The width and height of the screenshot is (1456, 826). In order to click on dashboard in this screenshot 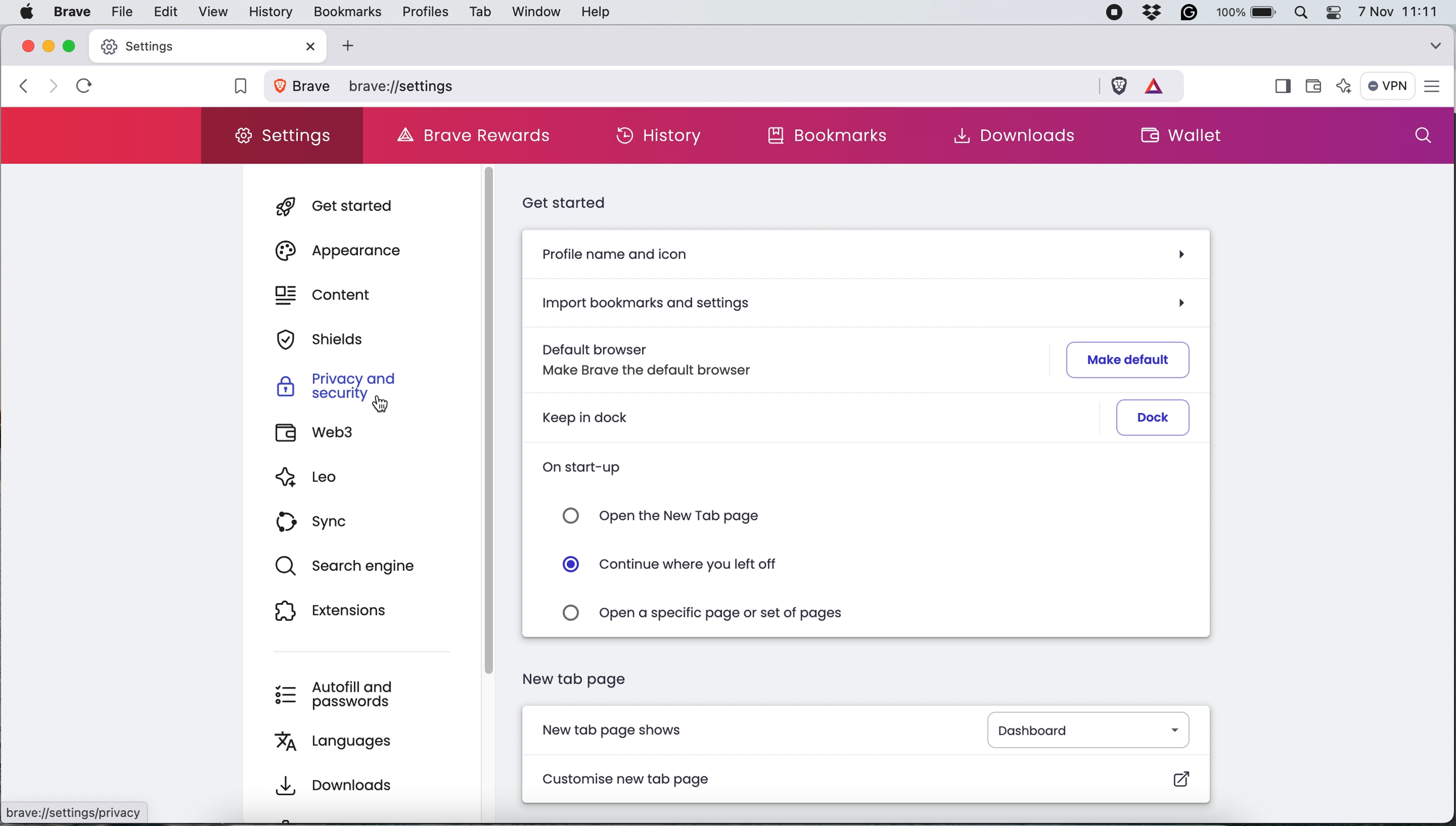, I will do `click(1091, 728)`.